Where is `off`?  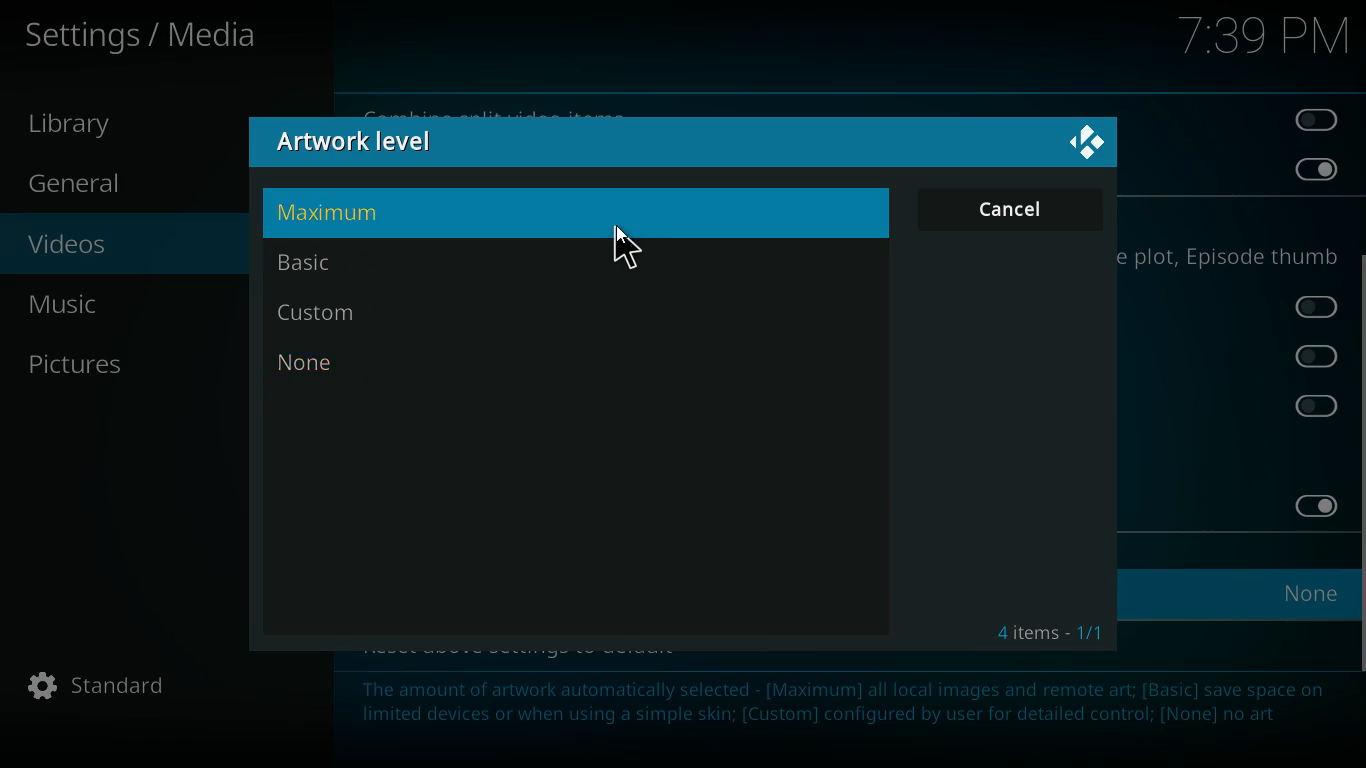 off is located at coordinates (1320, 306).